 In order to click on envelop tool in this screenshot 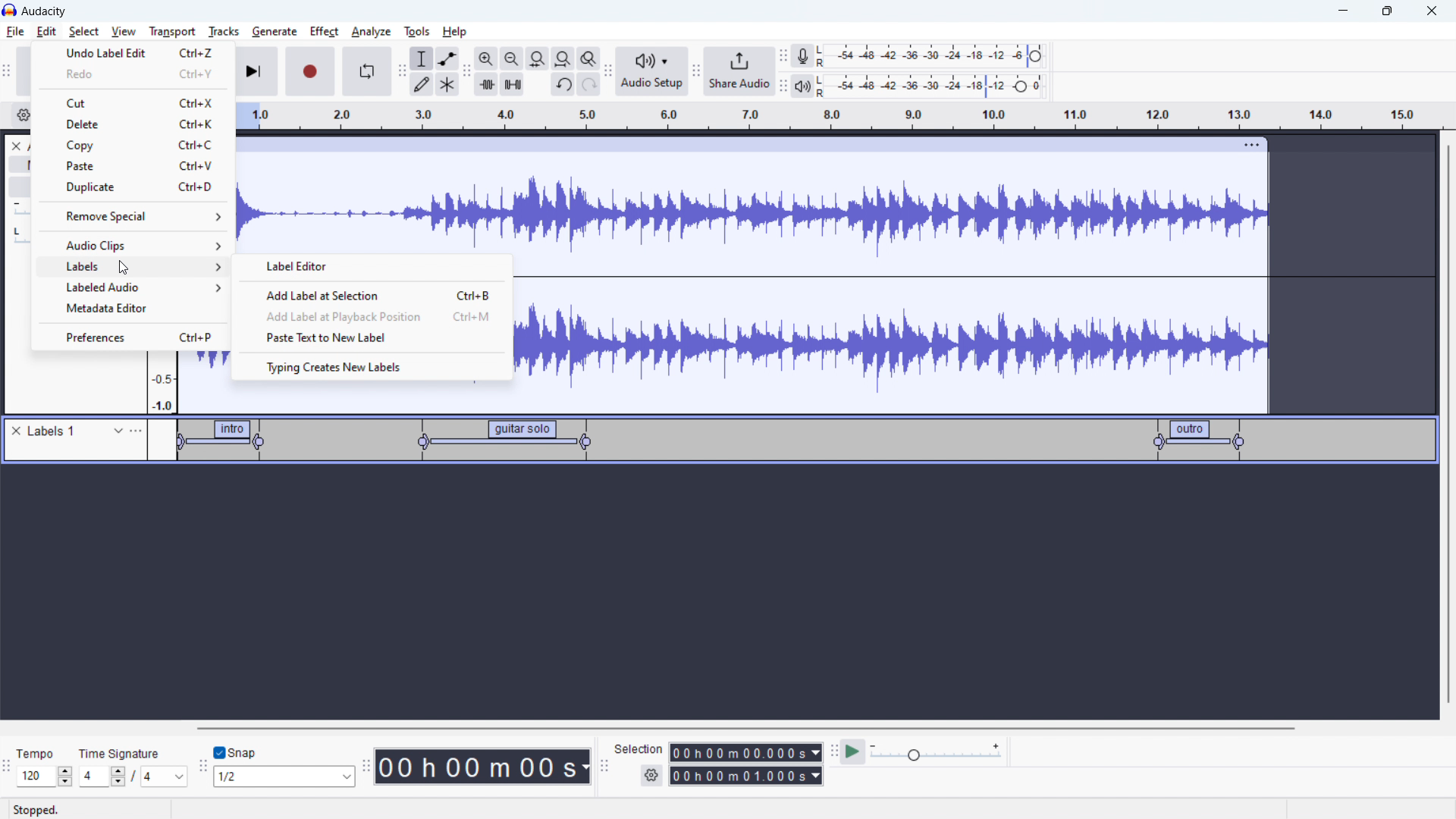, I will do `click(447, 58)`.